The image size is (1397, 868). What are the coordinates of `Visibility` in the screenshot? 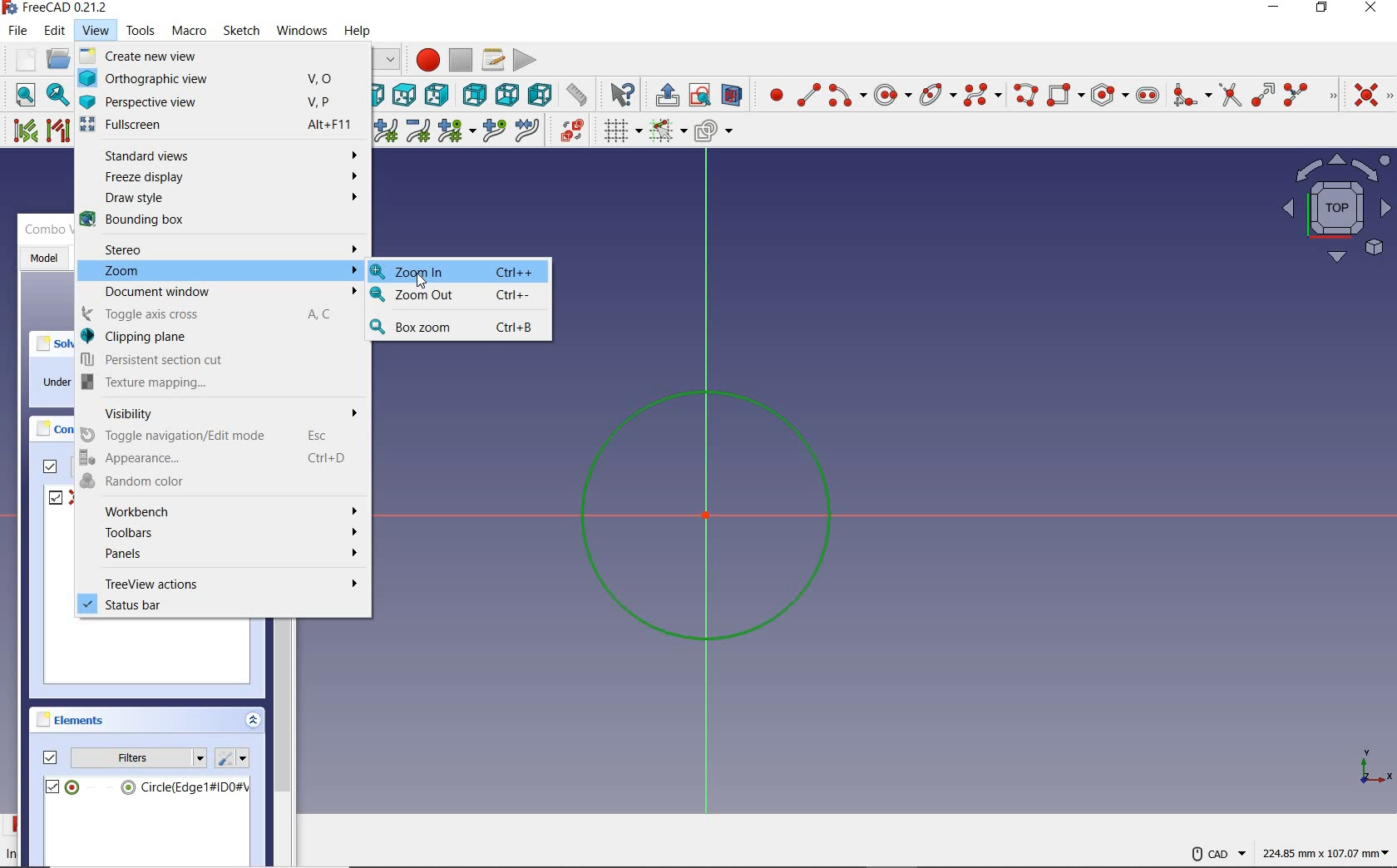 It's located at (223, 413).